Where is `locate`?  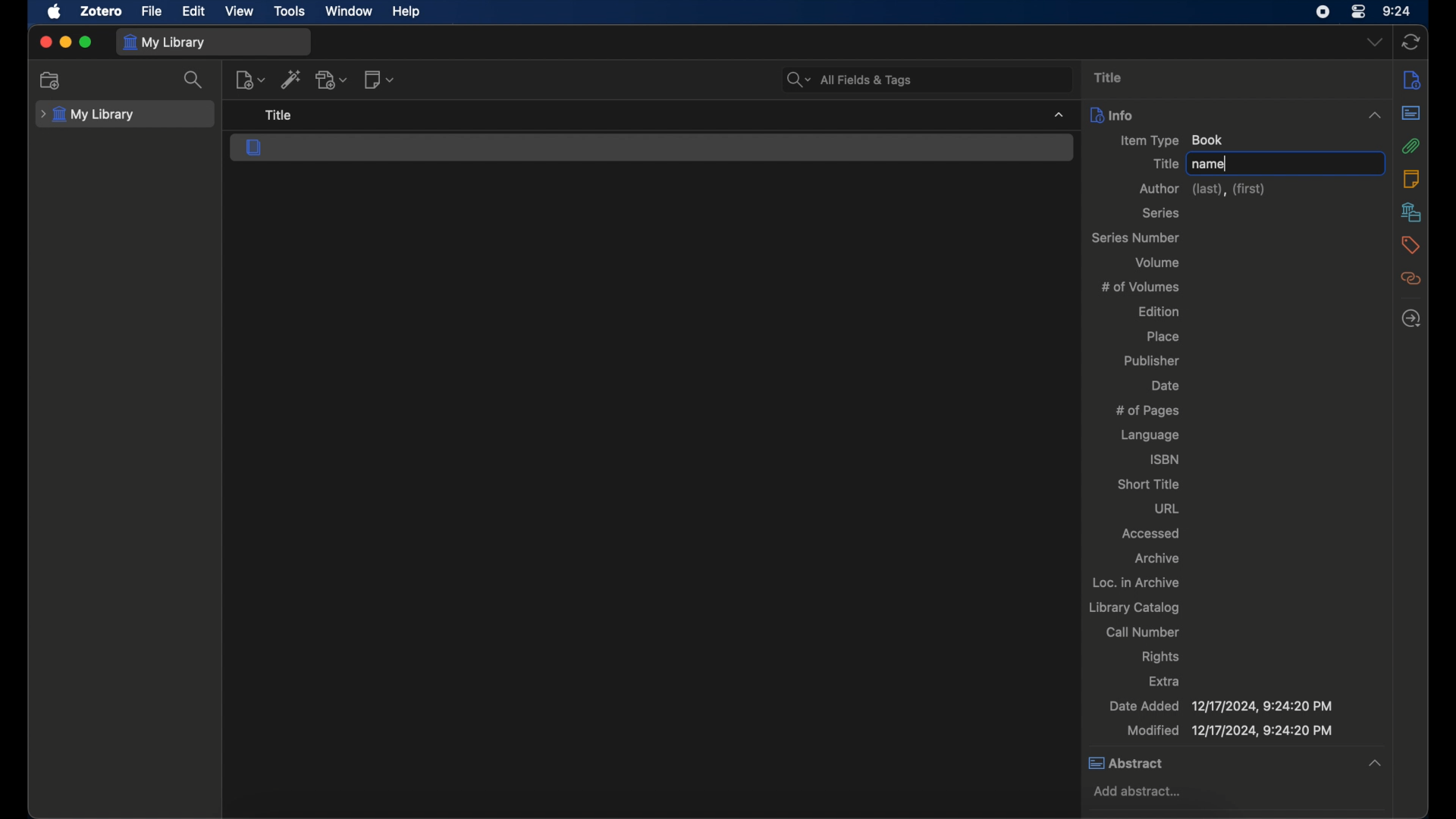
locate is located at coordinates (1414, 319).